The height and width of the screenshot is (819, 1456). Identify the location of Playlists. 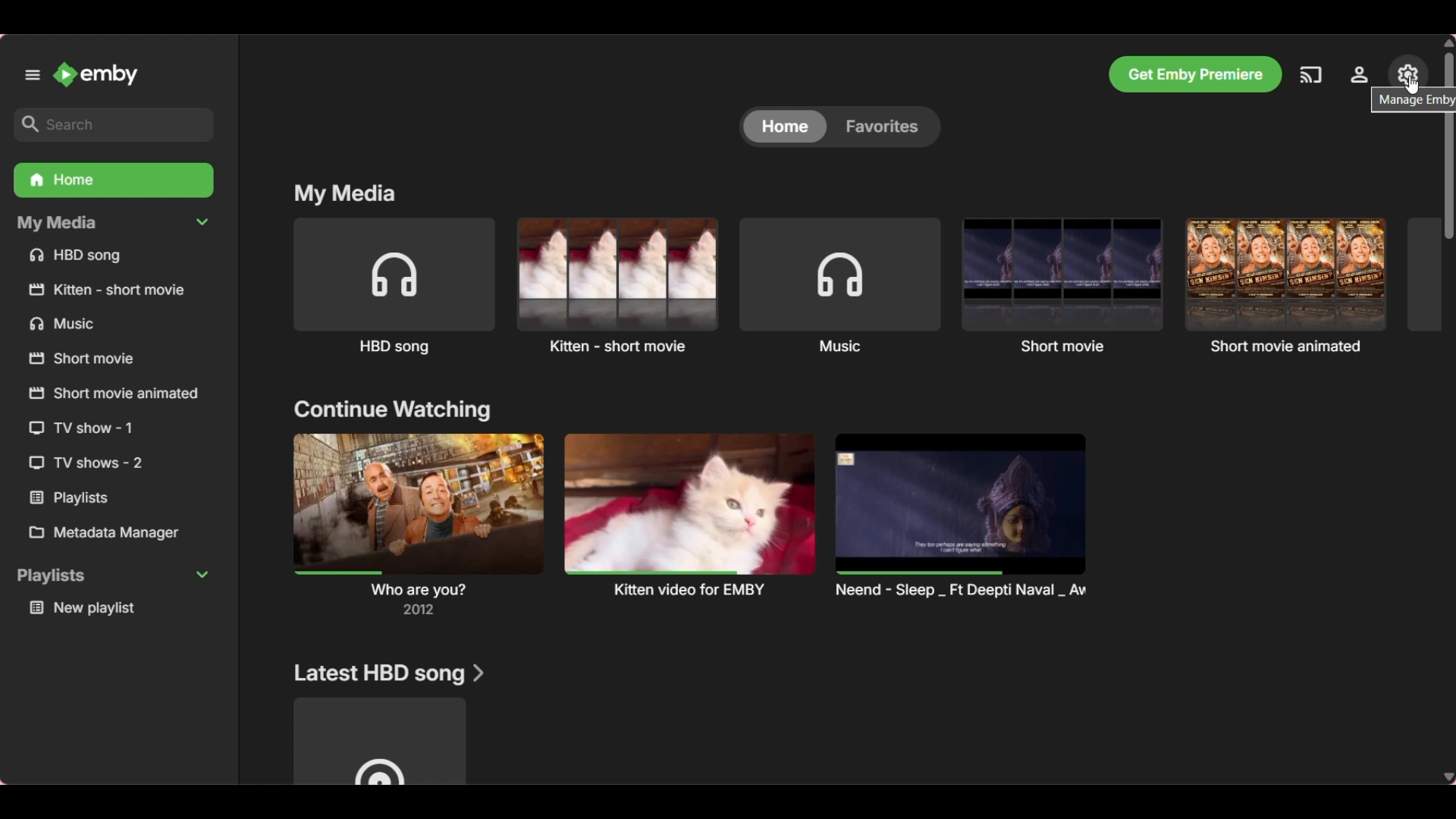
(112, 497).